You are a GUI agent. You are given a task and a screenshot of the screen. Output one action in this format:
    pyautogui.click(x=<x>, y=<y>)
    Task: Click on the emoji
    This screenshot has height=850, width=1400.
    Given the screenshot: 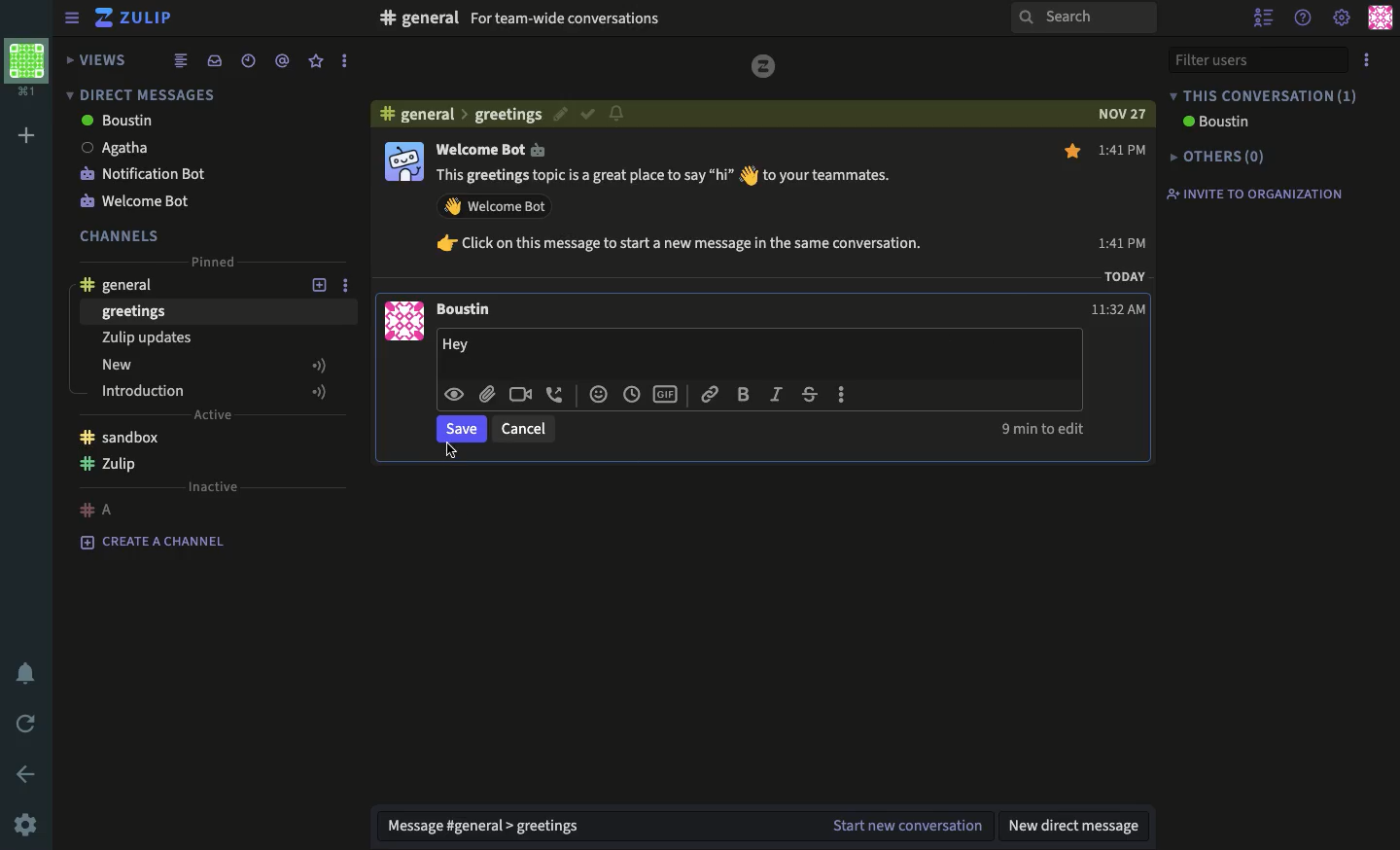 What is the action you would take?
    pyautogui.click(x=594, y=392)
    